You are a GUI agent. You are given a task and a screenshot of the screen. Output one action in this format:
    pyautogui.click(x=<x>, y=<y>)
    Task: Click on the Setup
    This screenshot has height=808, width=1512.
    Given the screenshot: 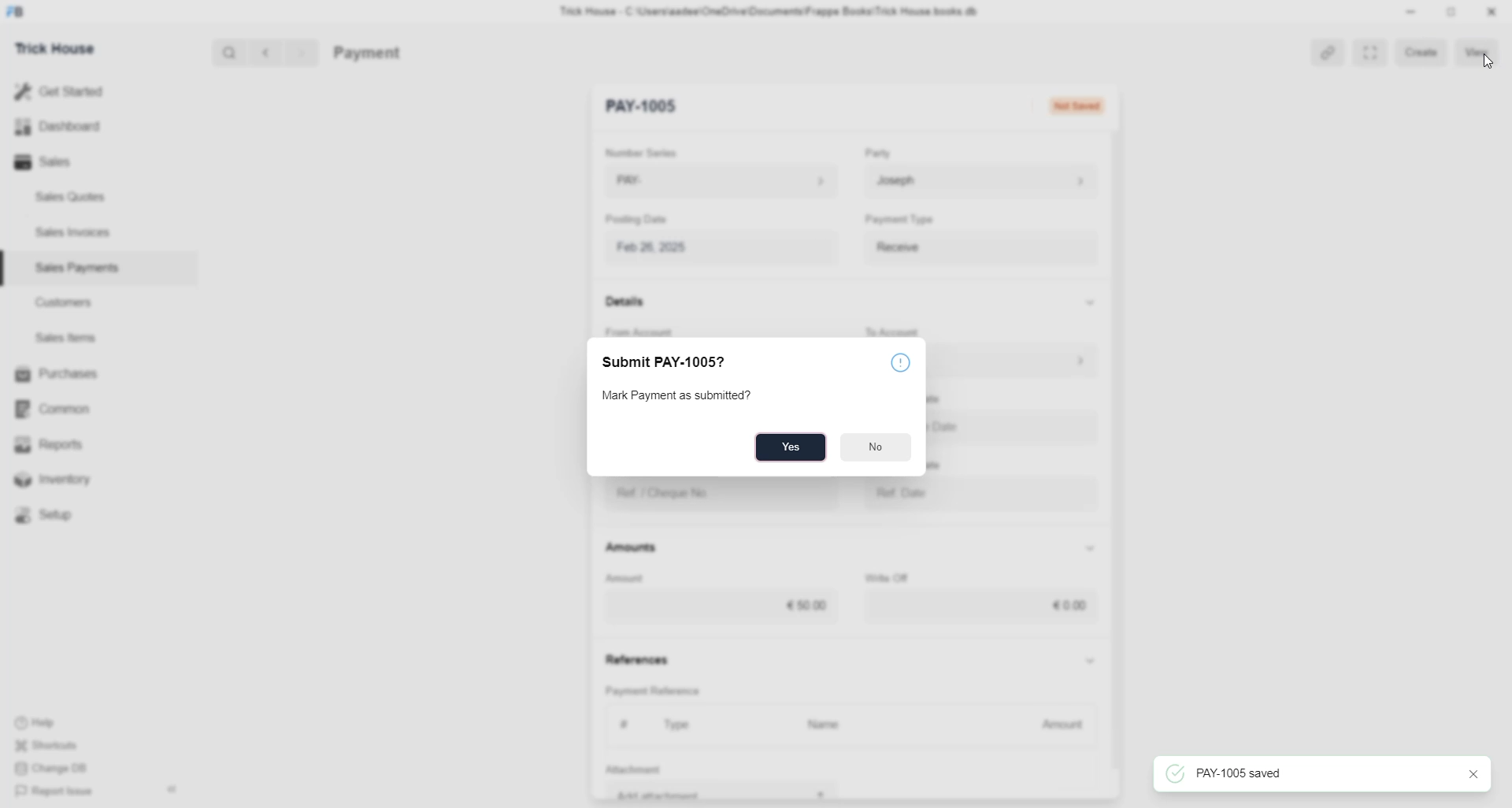 What is the action you would take?
    pyautogui.click(x=51, y=517)
    